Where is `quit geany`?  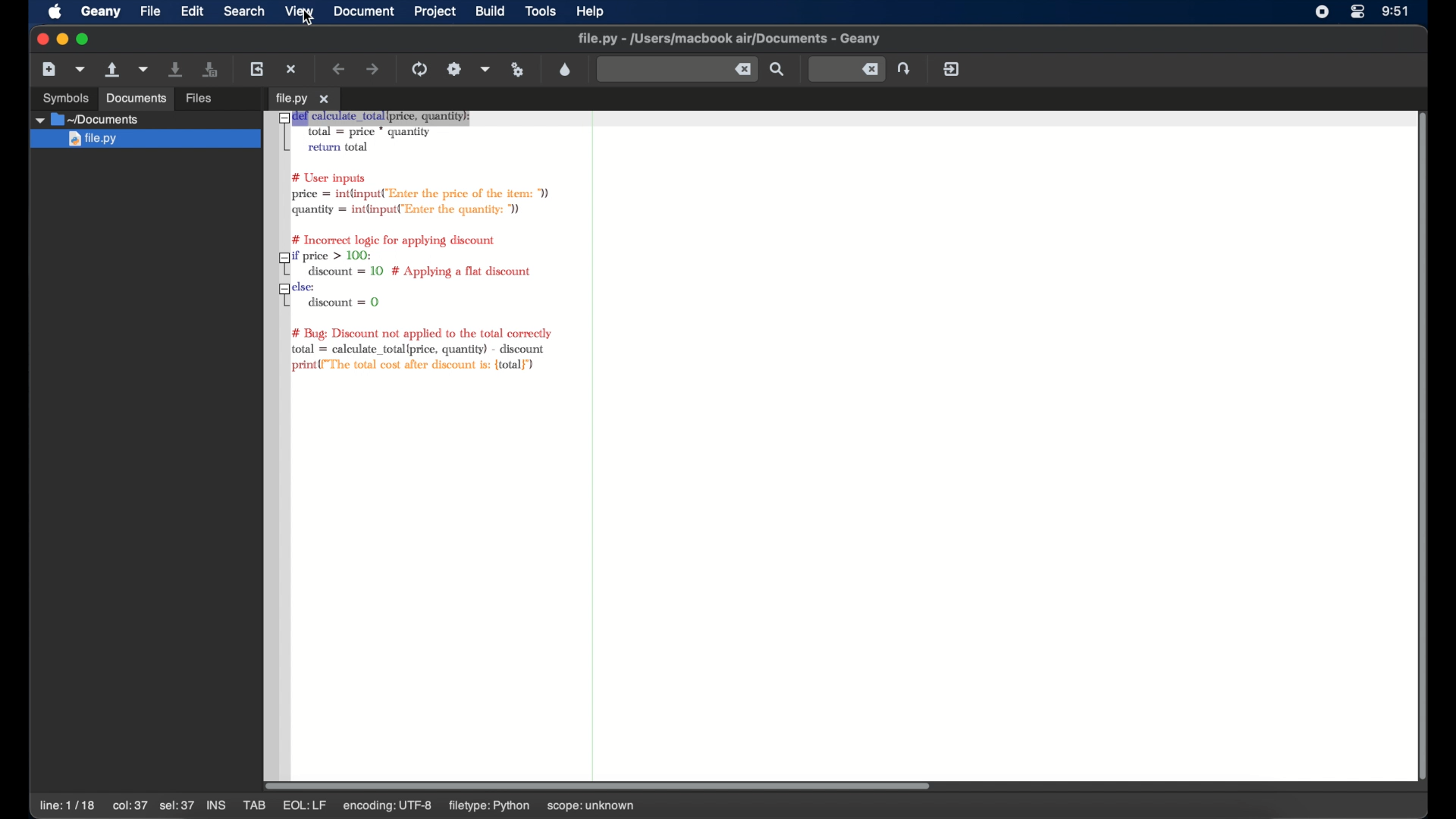 quit geany is located at coordinates (952, 70).